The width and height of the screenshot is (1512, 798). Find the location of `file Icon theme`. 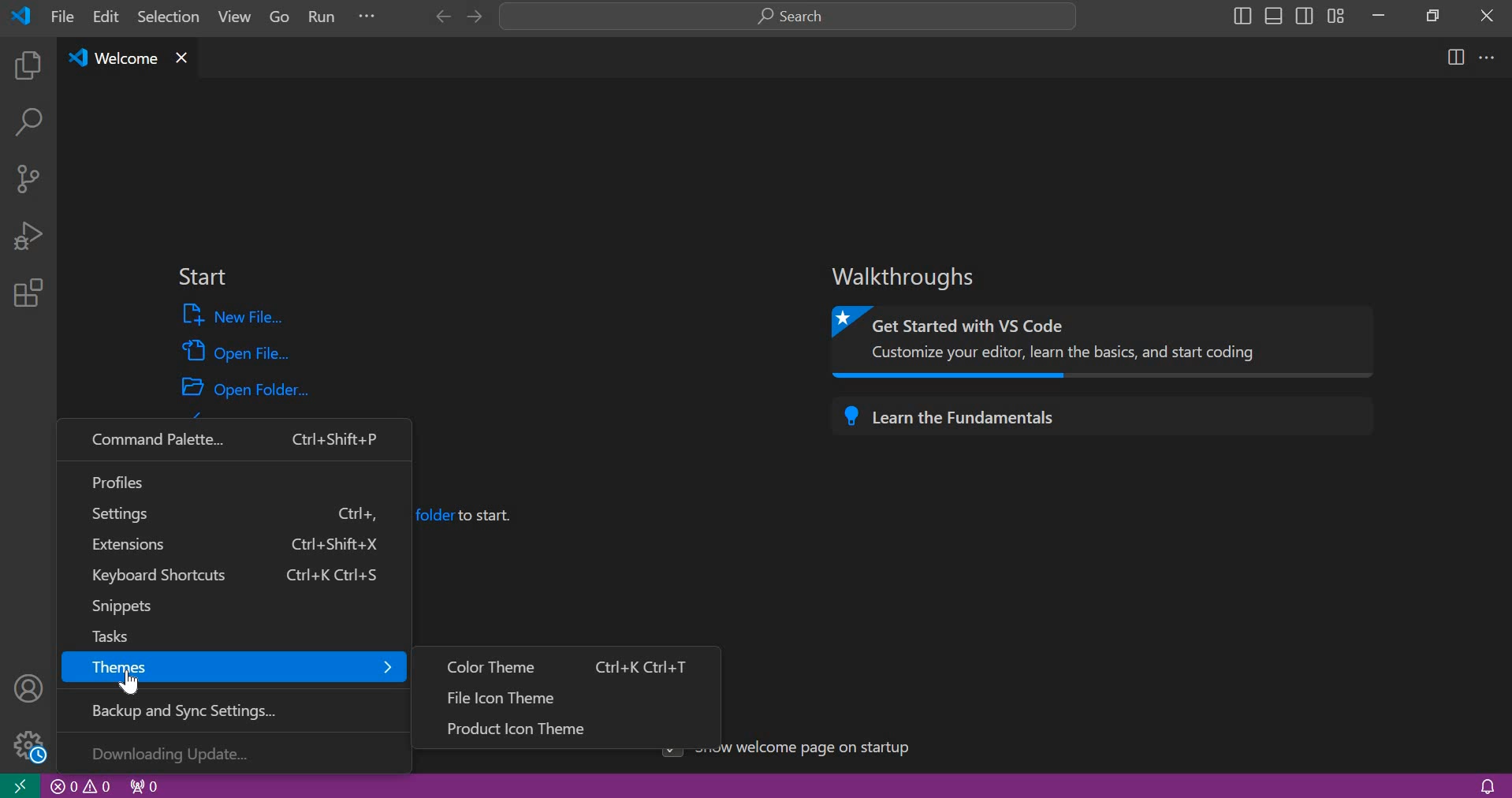

file Icon theme is located at coordinates (567, 695).